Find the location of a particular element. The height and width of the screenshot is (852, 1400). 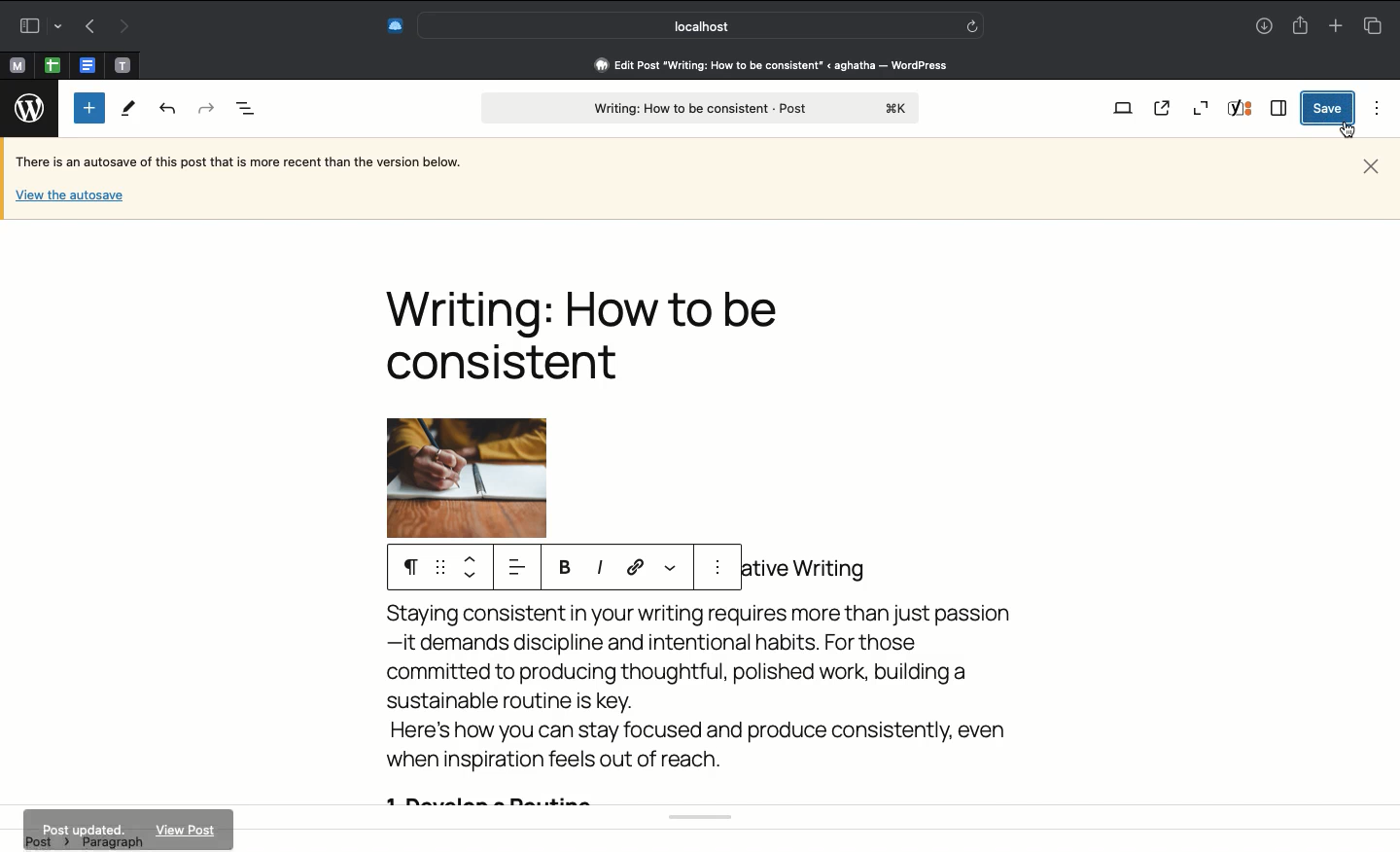

View is located at coordinates (1122, 110).